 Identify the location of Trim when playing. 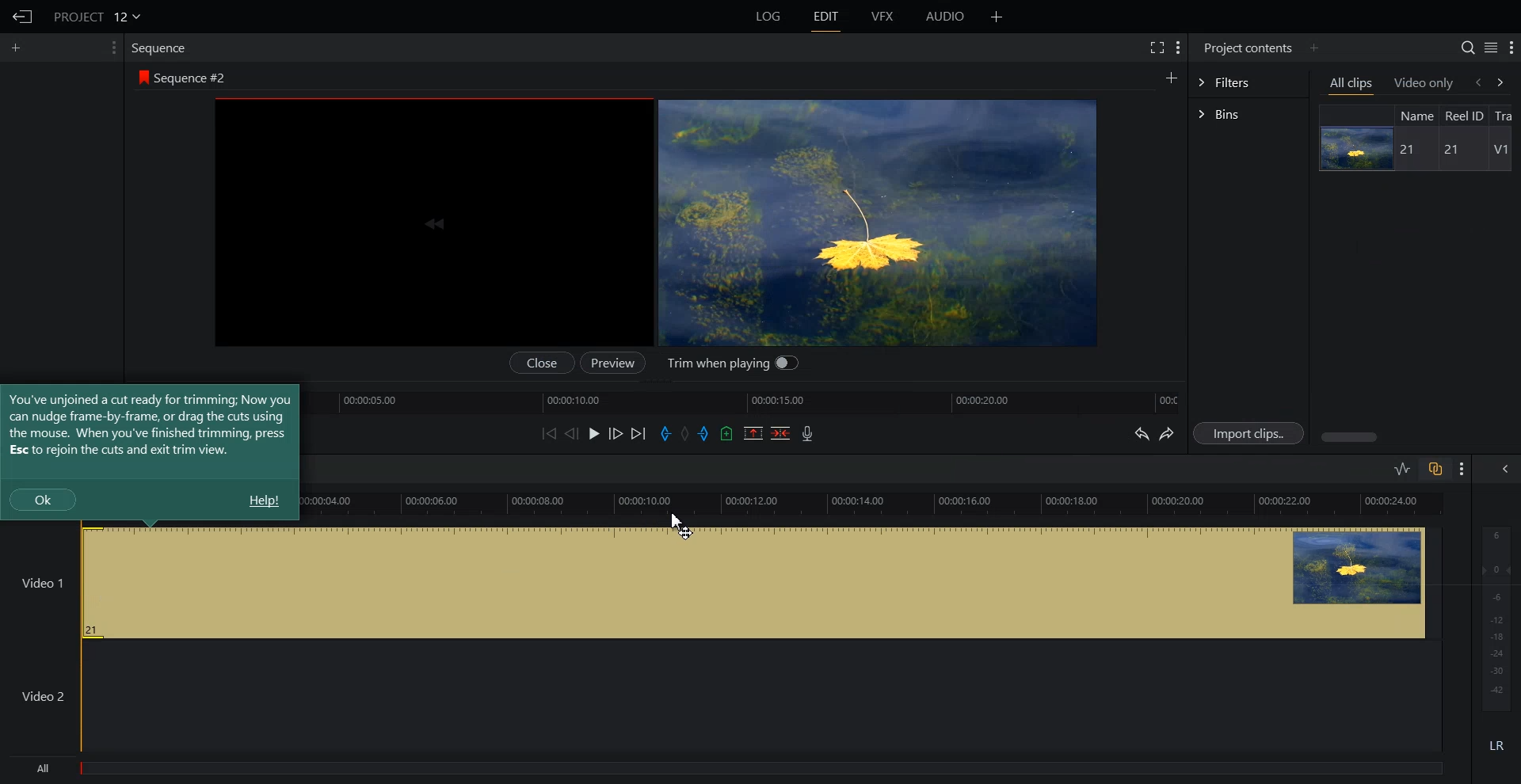
(732, 365).